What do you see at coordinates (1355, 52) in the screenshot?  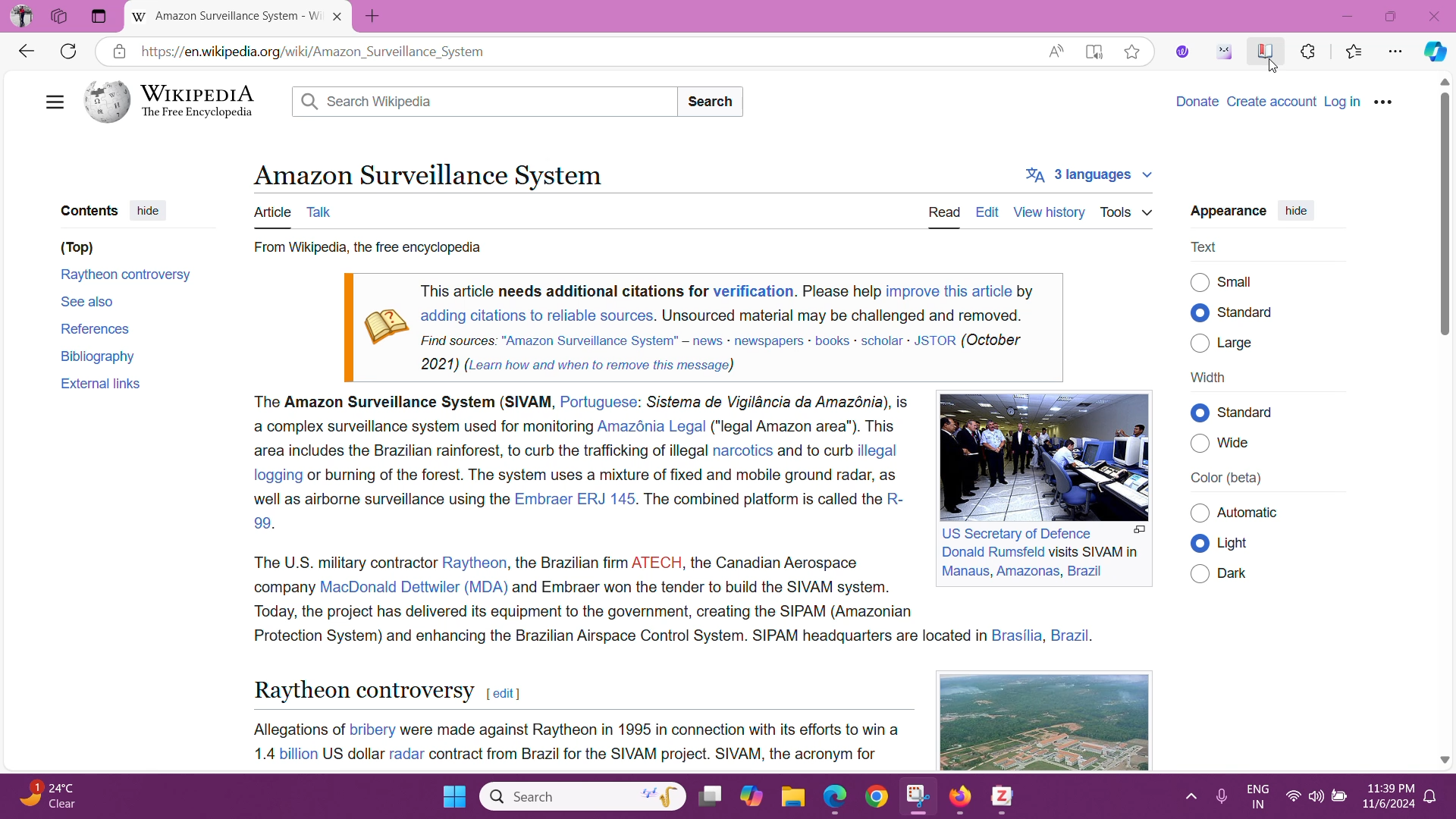 I see `Favorites` at bounding box center [1355, 52].